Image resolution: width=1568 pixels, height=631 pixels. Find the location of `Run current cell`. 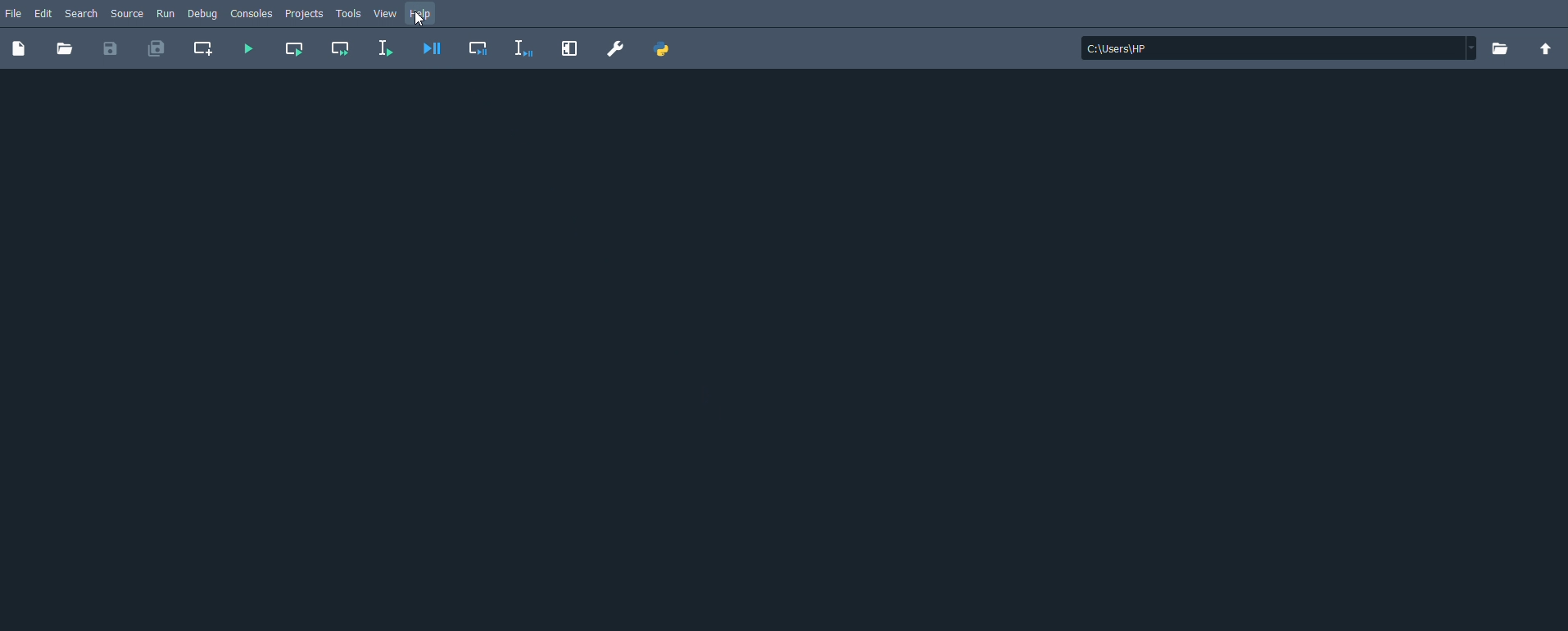

Run current cell is located at coordinates (296, 49).